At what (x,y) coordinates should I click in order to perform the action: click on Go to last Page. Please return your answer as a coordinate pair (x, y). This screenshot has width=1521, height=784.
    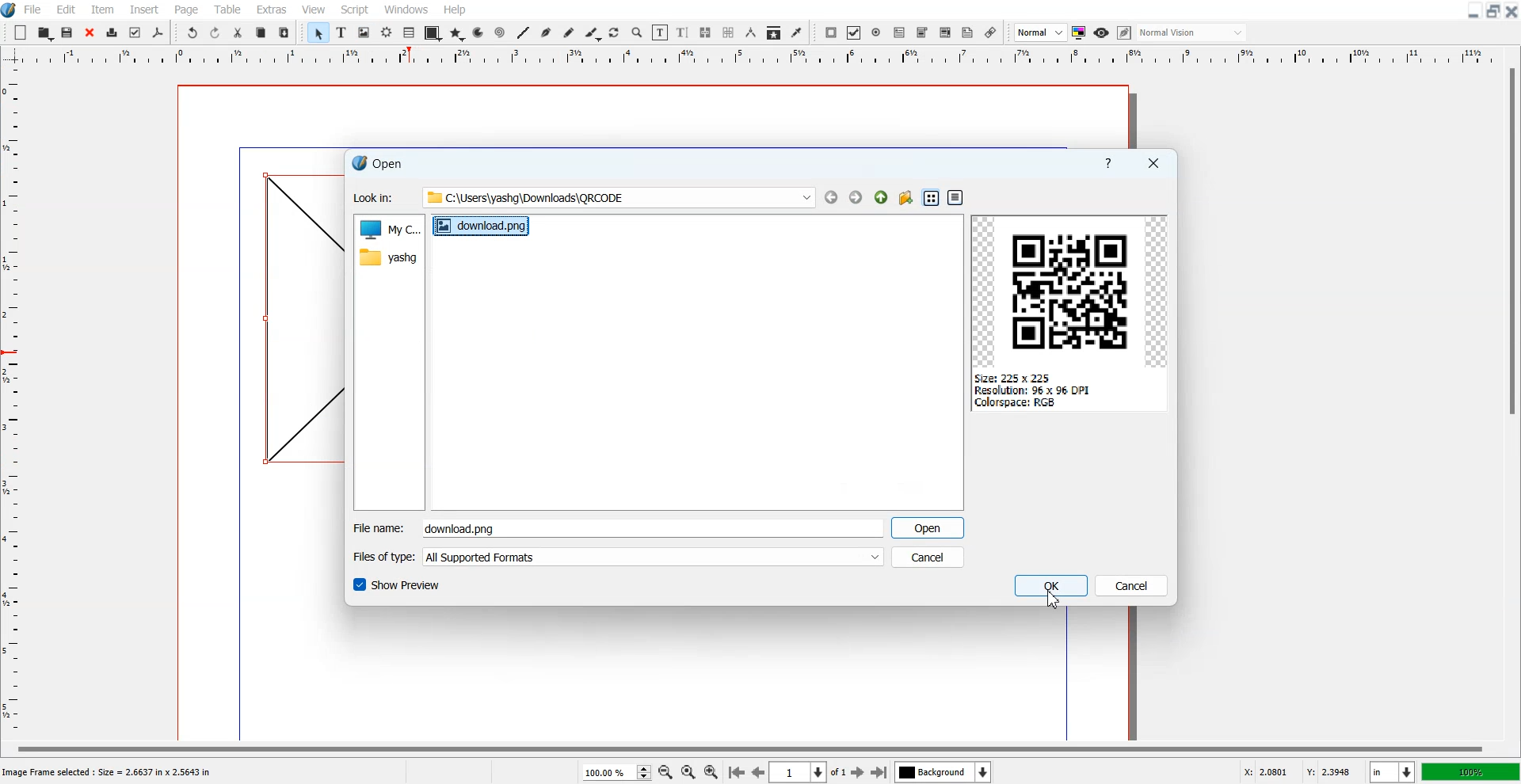
    Looking at the image, I should click on (879, 772).